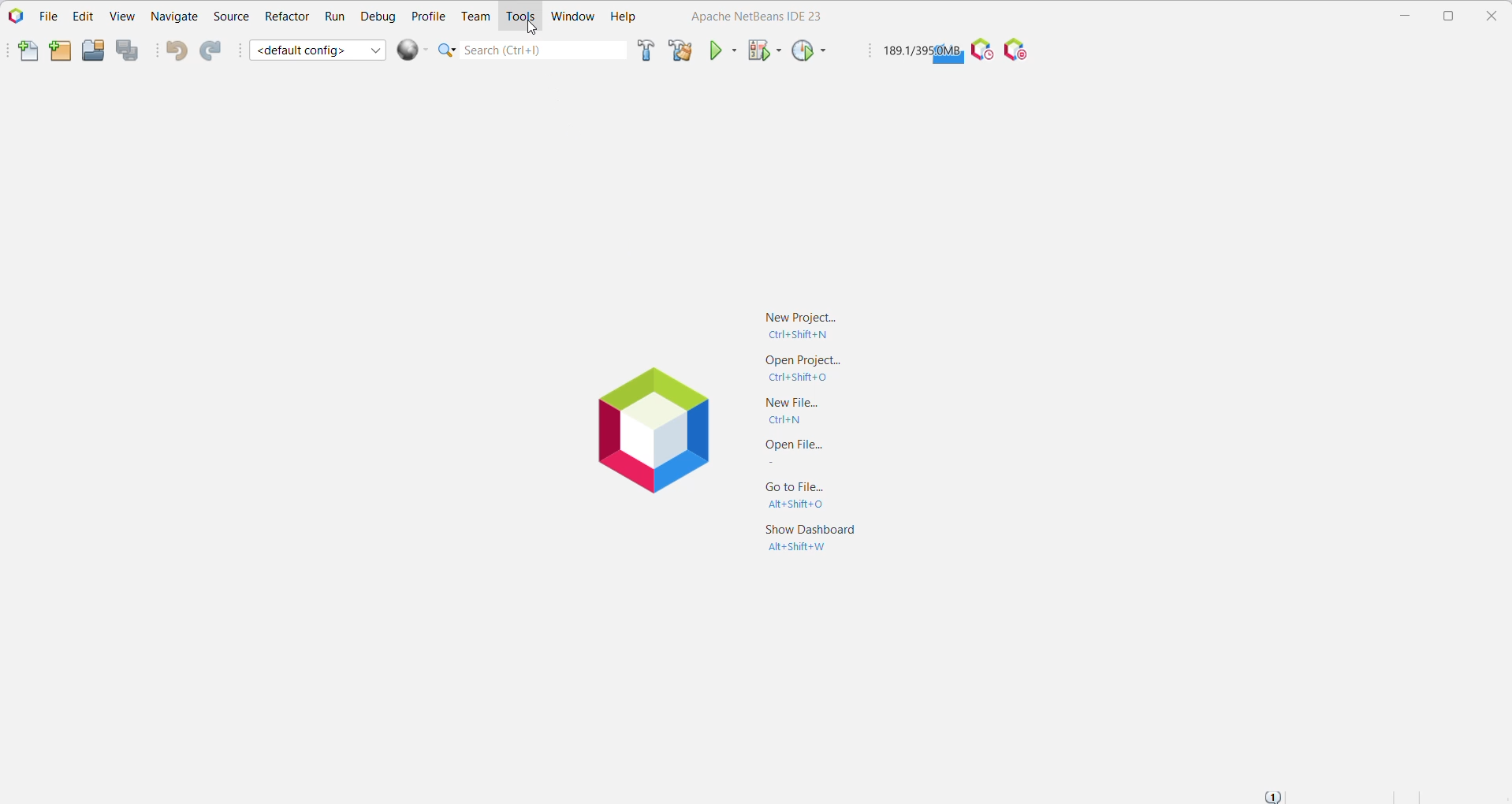 Image resolution: width=1512 pixels, height=804 pixels. What do you see at coordinates (174, 51) in the screenshot?
I see `Undo` at bounding box center [174, 51].